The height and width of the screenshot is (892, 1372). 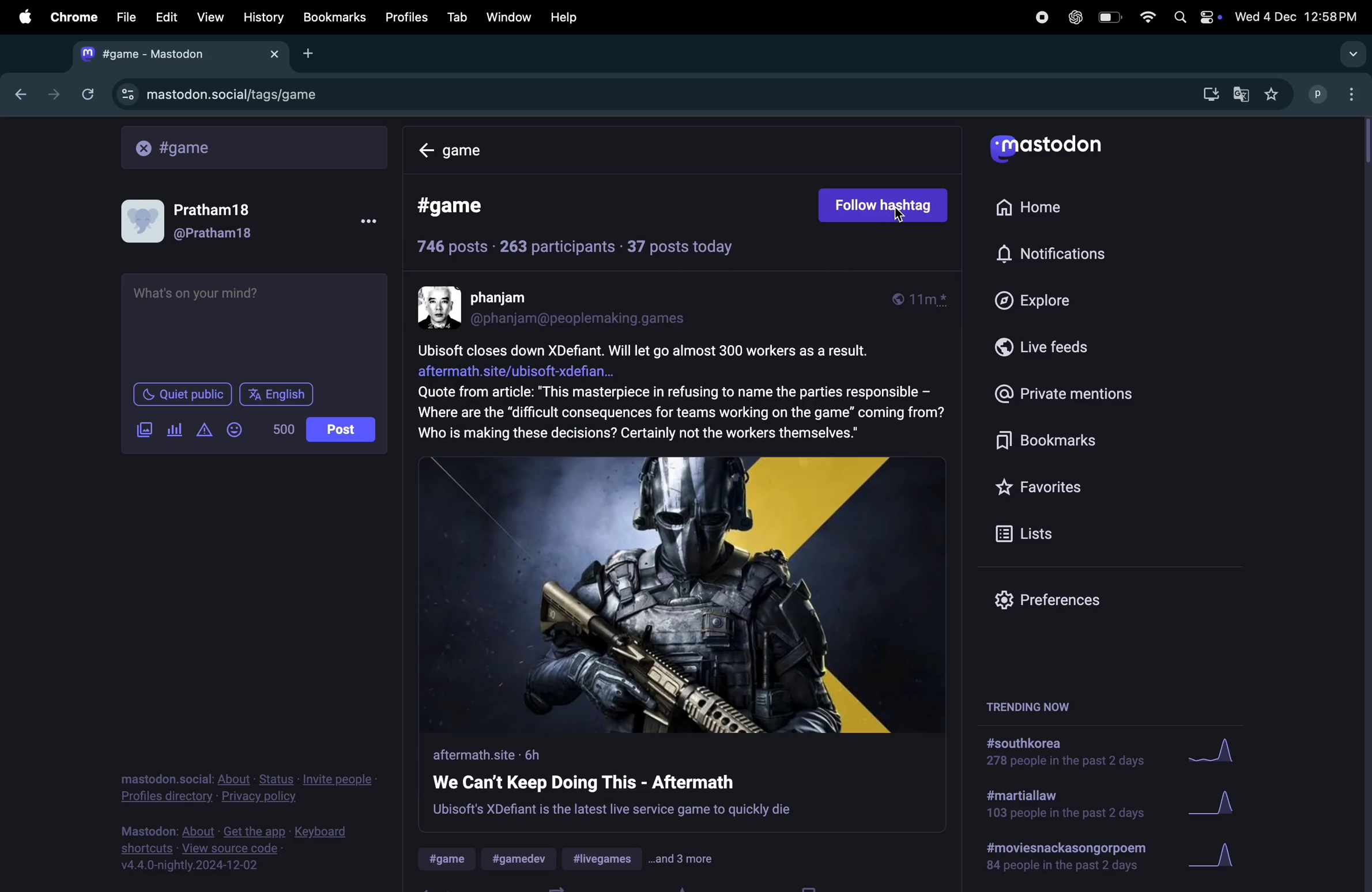 What do you see at coordinates (1243, 92) in the screenshot?
I see `google translate` at bounding box center [1243, 92].